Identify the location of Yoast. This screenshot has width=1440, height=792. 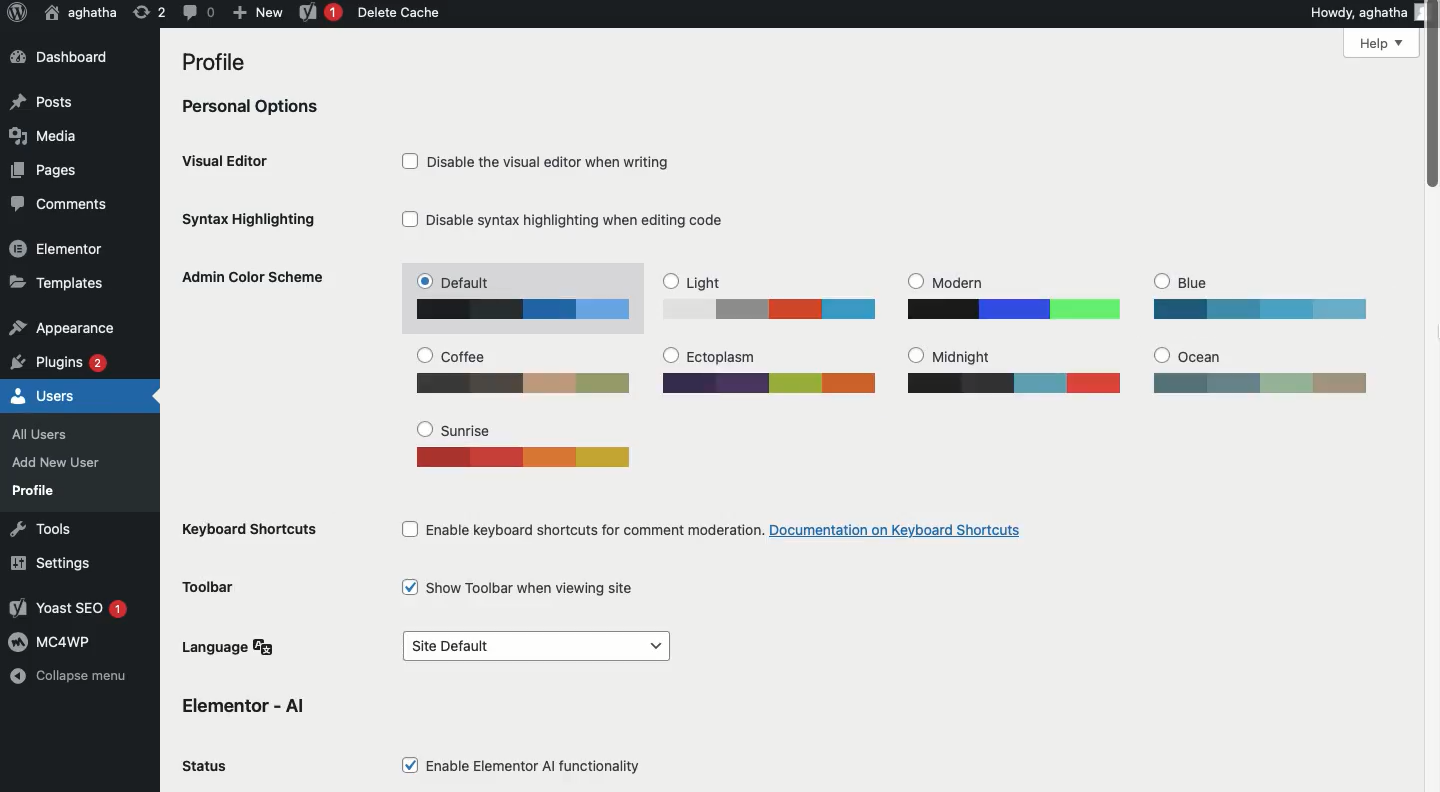
(321, 14).